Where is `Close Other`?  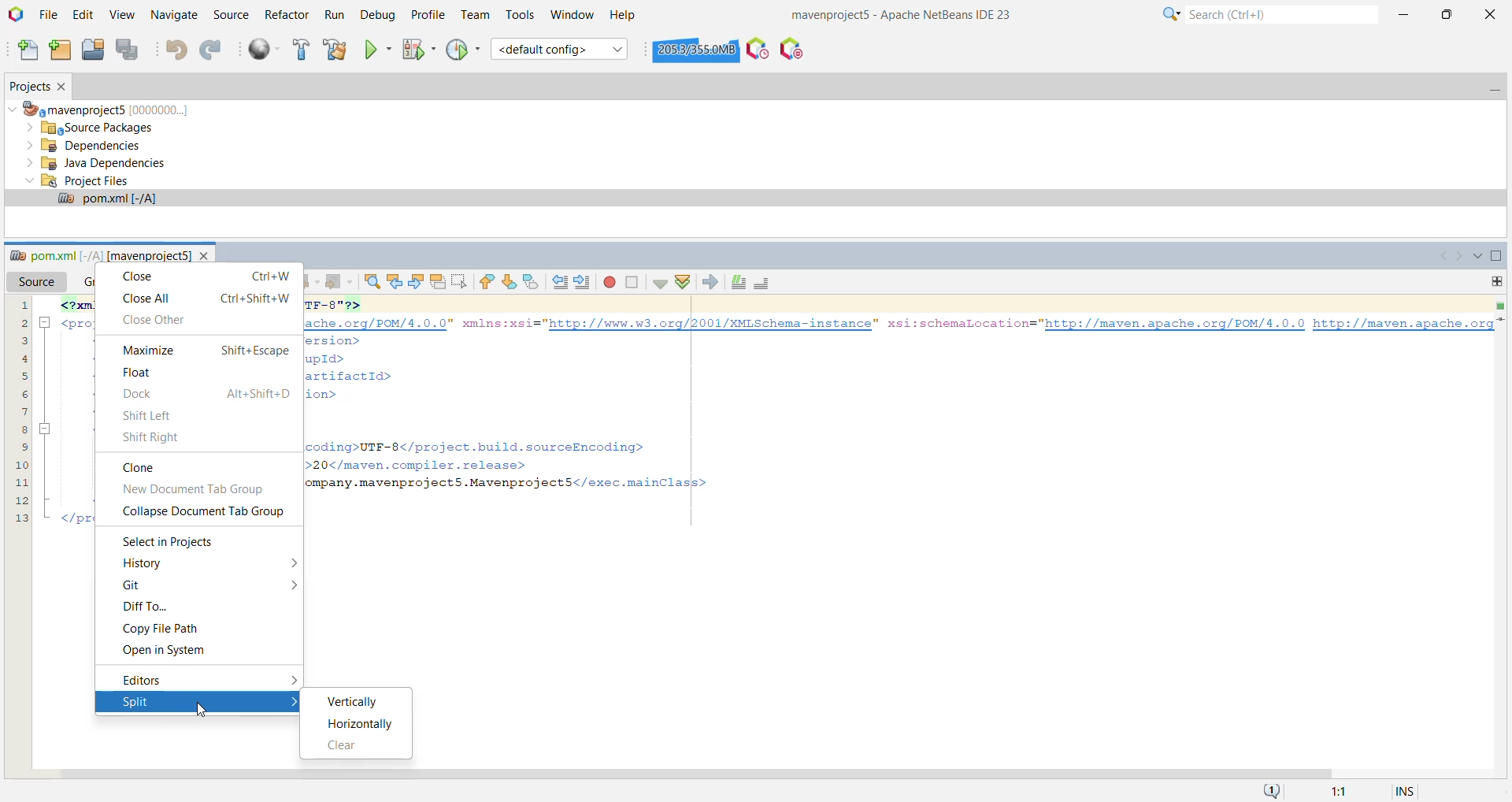
Close Other is located at coordinates (166, 320).